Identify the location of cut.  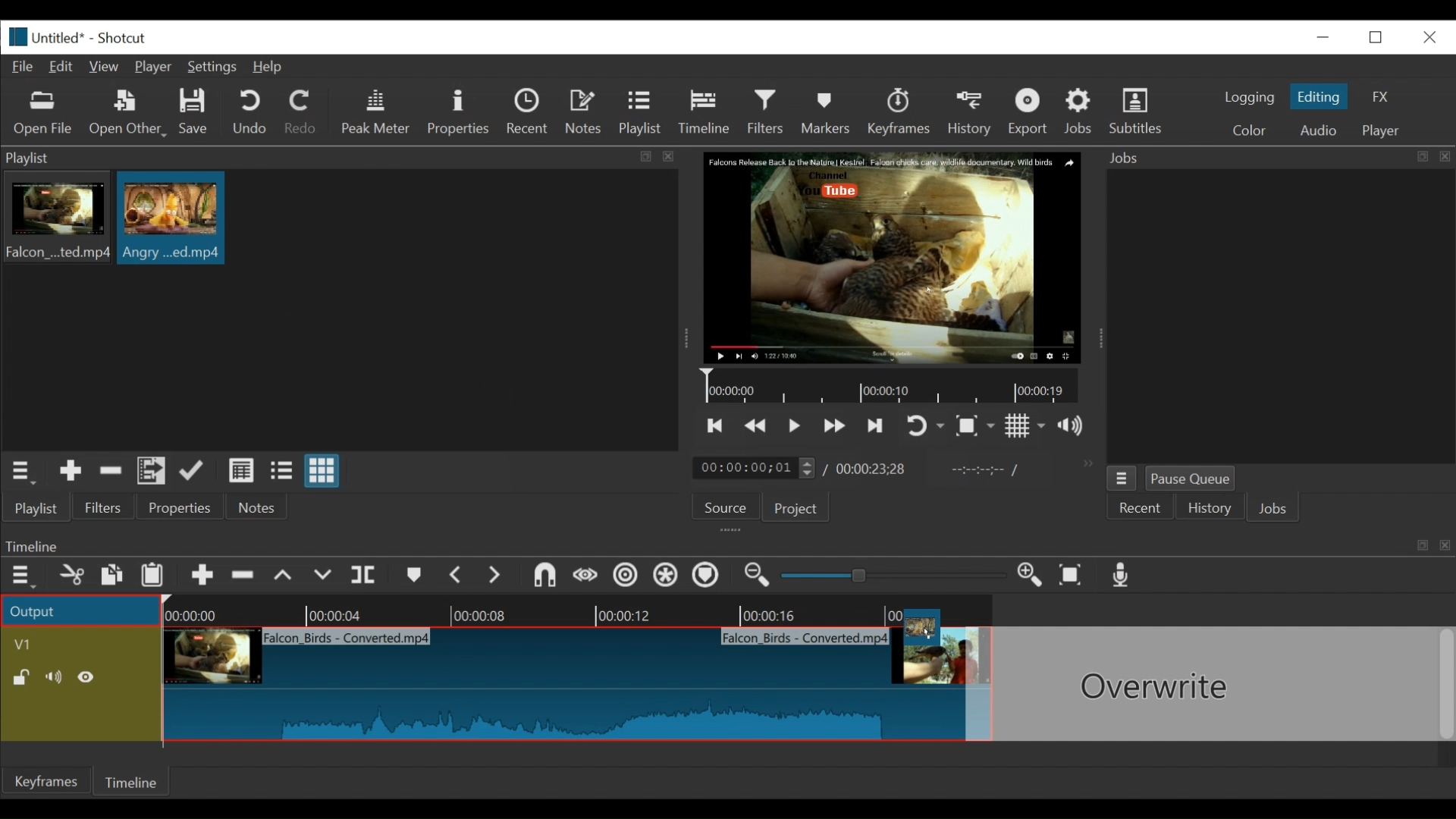
(71, 576).